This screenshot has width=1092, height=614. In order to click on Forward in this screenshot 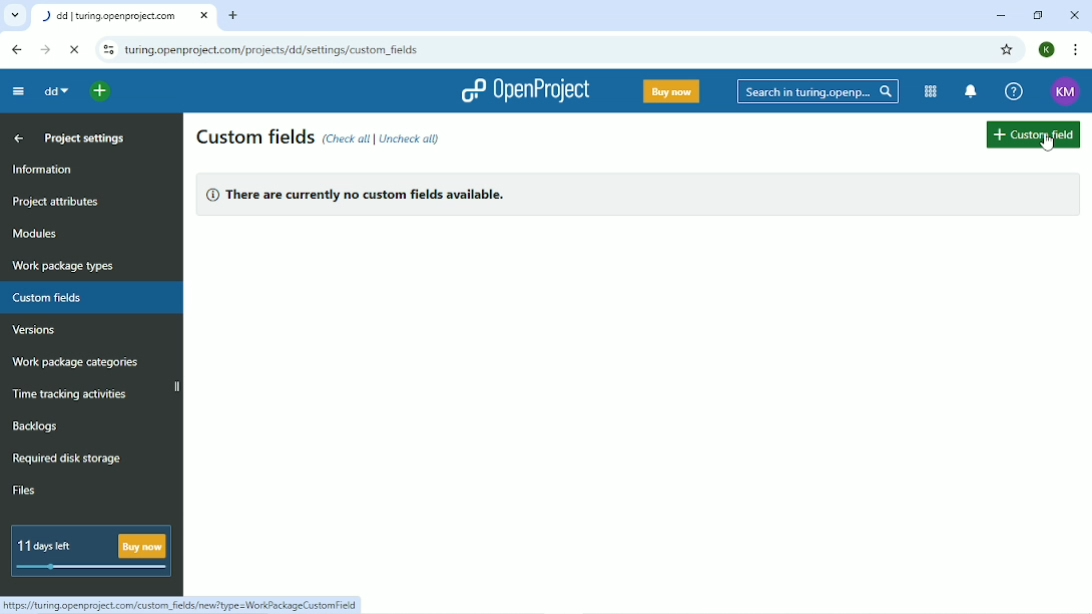, I will do `click(45, 49)`.